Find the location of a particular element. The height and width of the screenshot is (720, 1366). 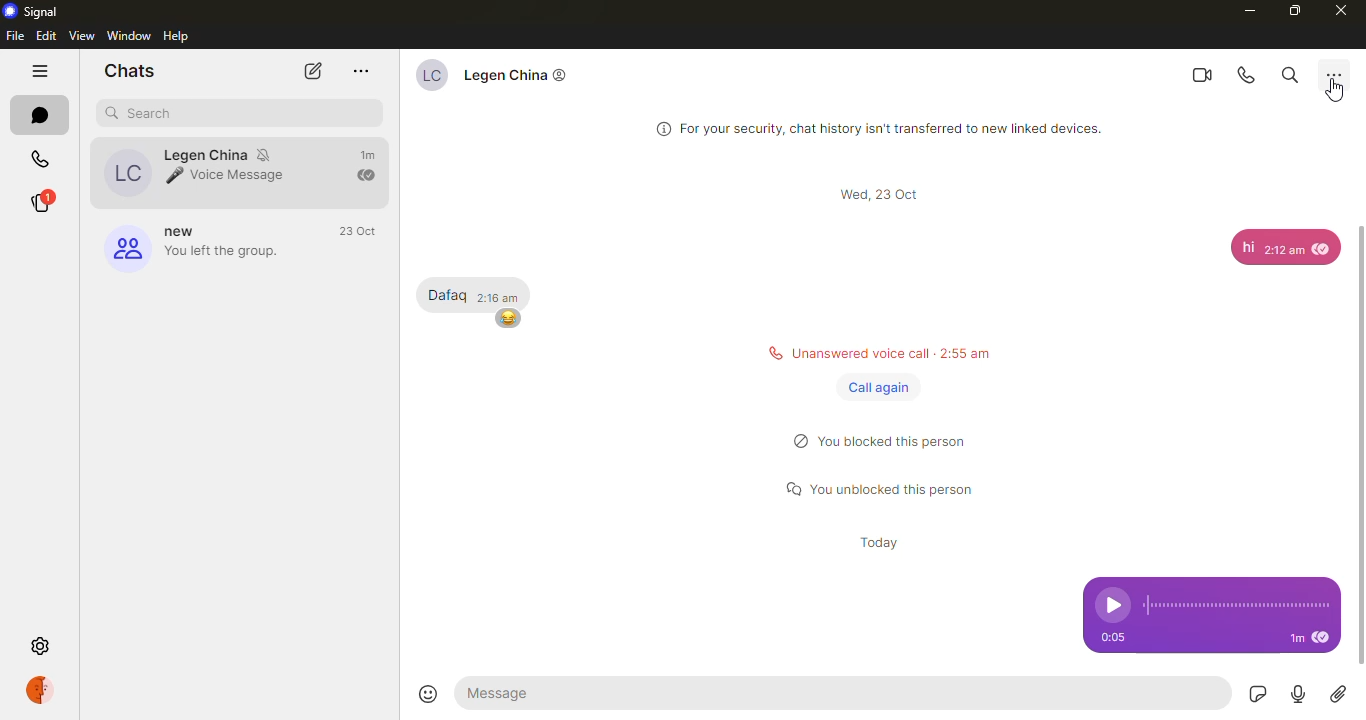

chats is located at coordinates (134, 70).